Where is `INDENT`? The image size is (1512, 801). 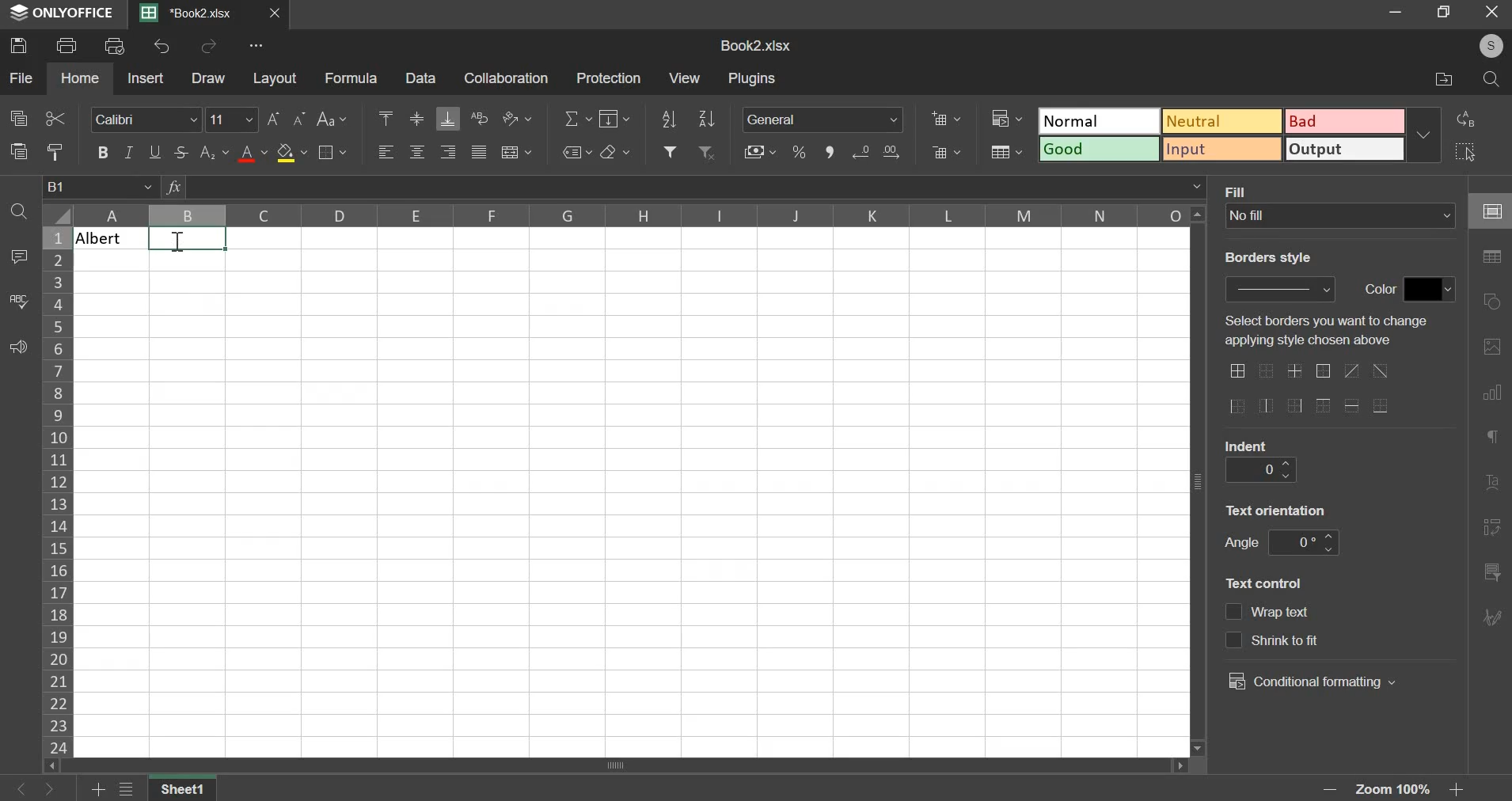
INDENT is located at coordinates (1249, 443).